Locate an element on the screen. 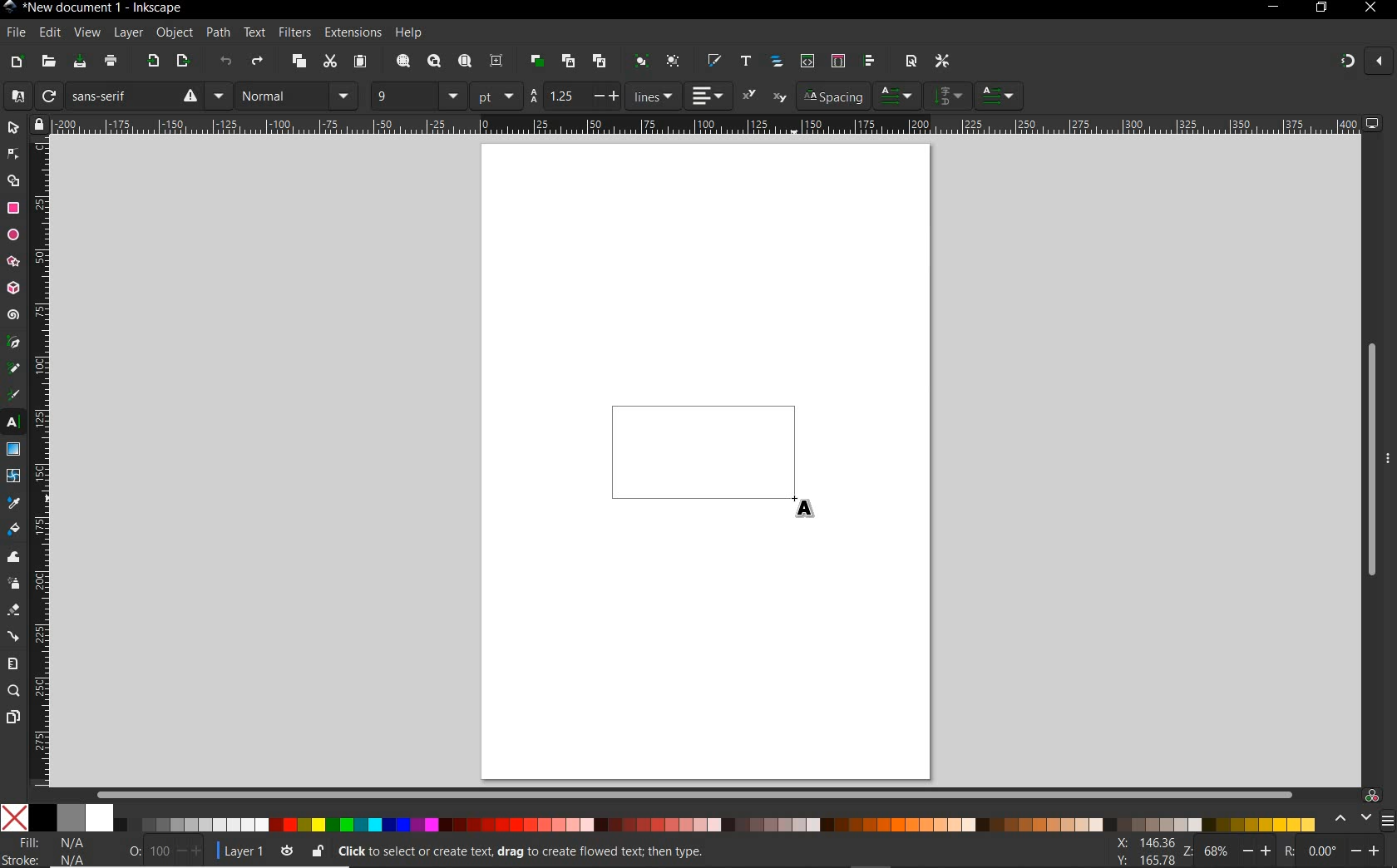 Image resolution: width=1397 pixels, height=868 pixels. scrollbar is located at coordinates (696, 794).